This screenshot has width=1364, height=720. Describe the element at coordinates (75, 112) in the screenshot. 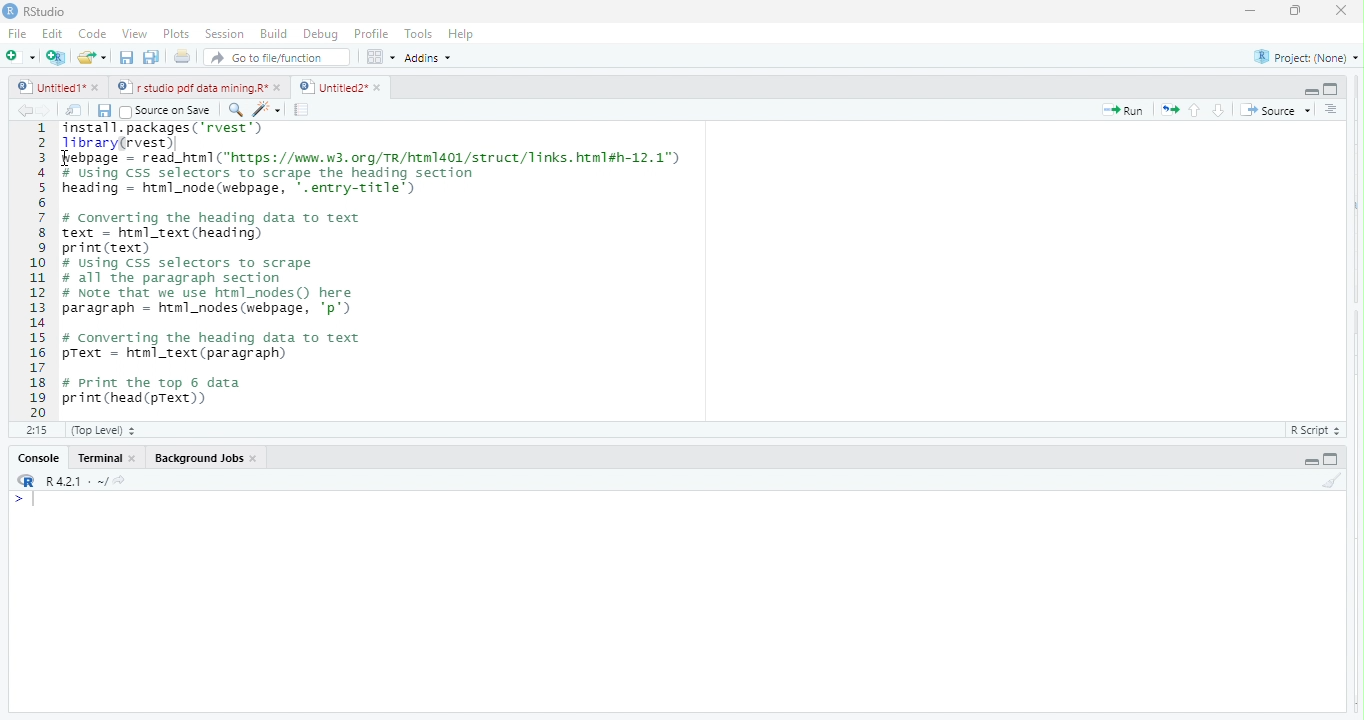

I see `show in new window` at that location.